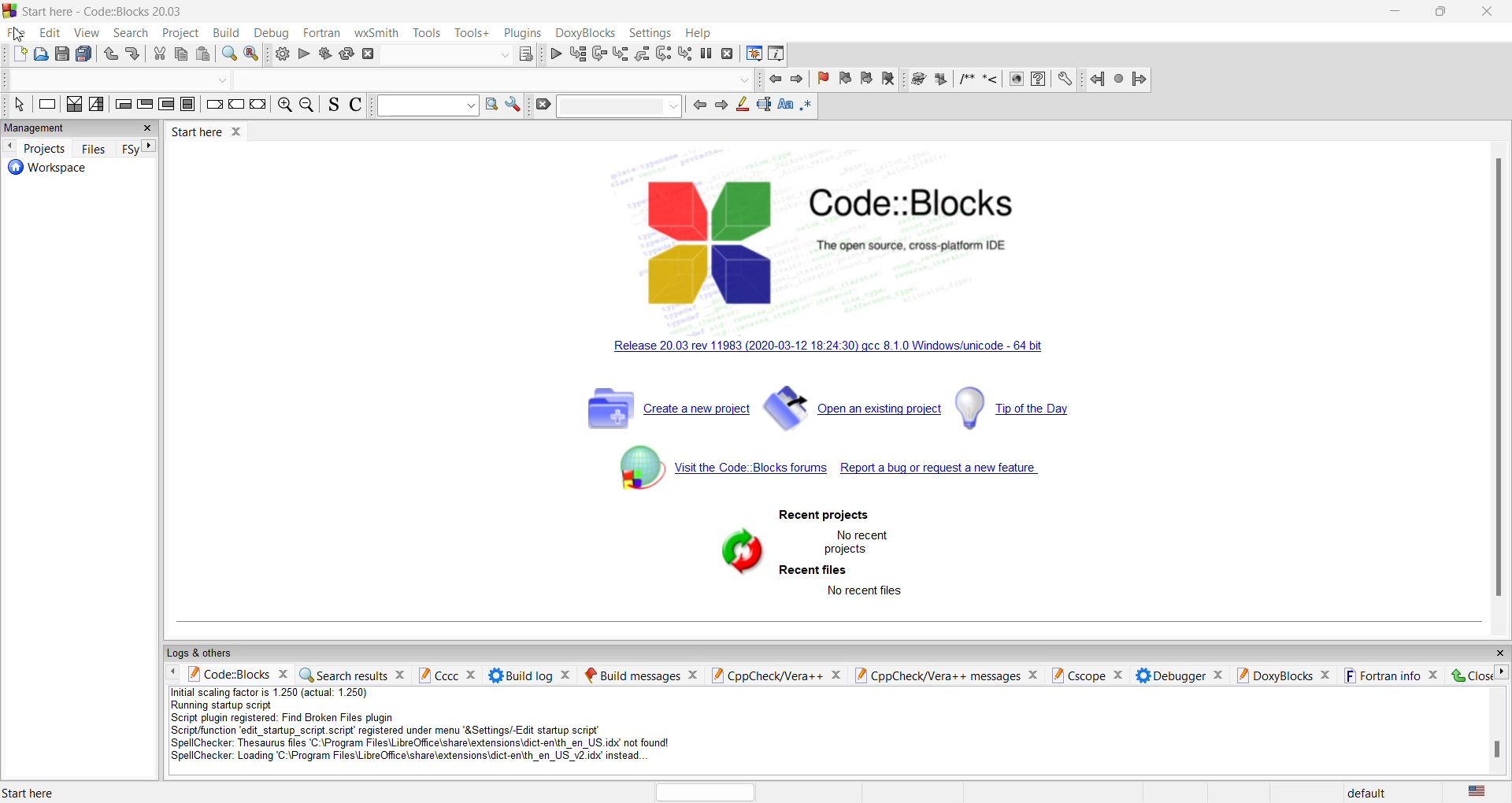 This screenshot has width=1512, height=803. What do you see at coordinates (641, 54) in the screenshot?
I see `step into` at bounding box center [641, 54].